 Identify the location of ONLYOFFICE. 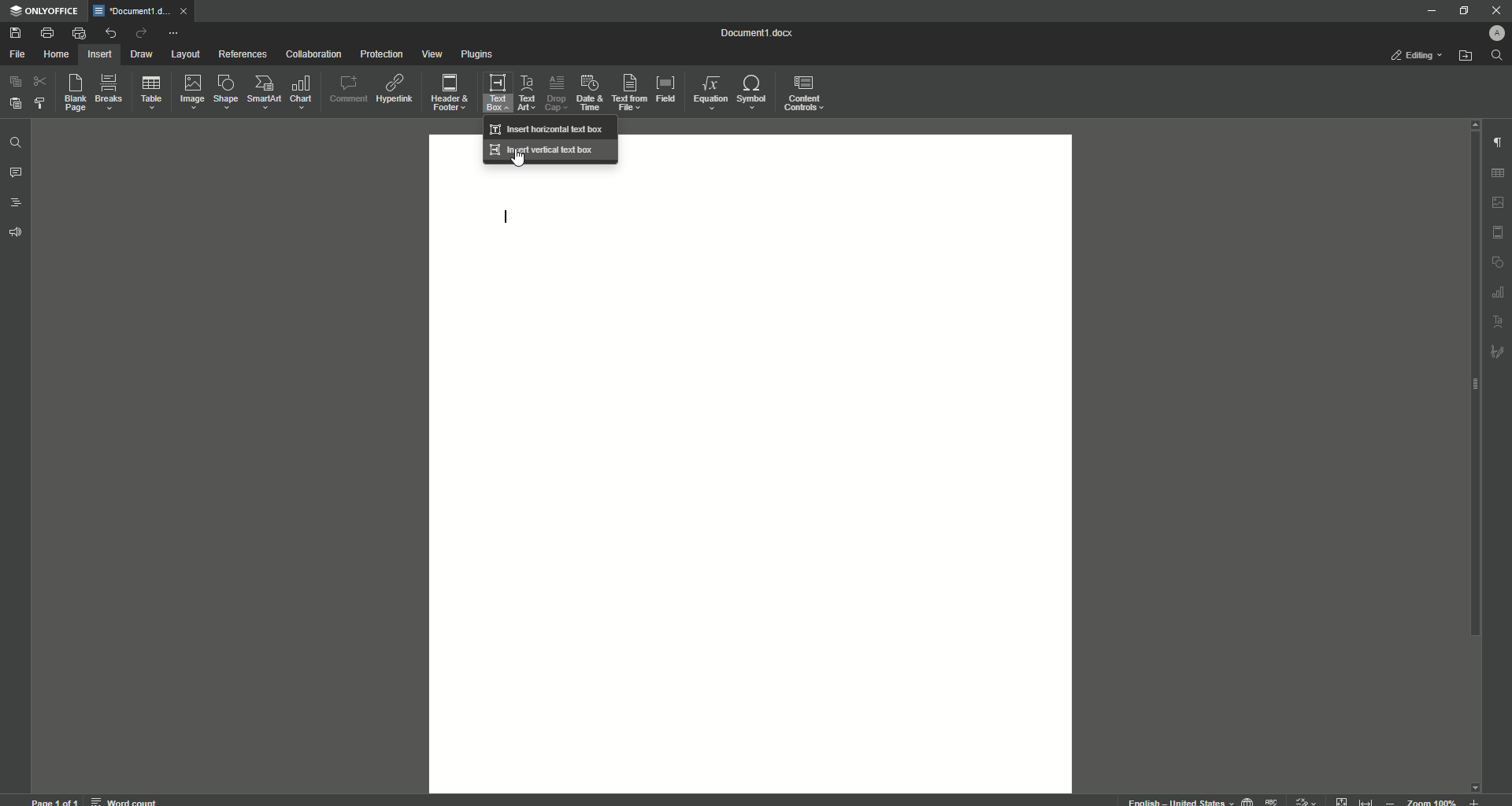
(45, 12).